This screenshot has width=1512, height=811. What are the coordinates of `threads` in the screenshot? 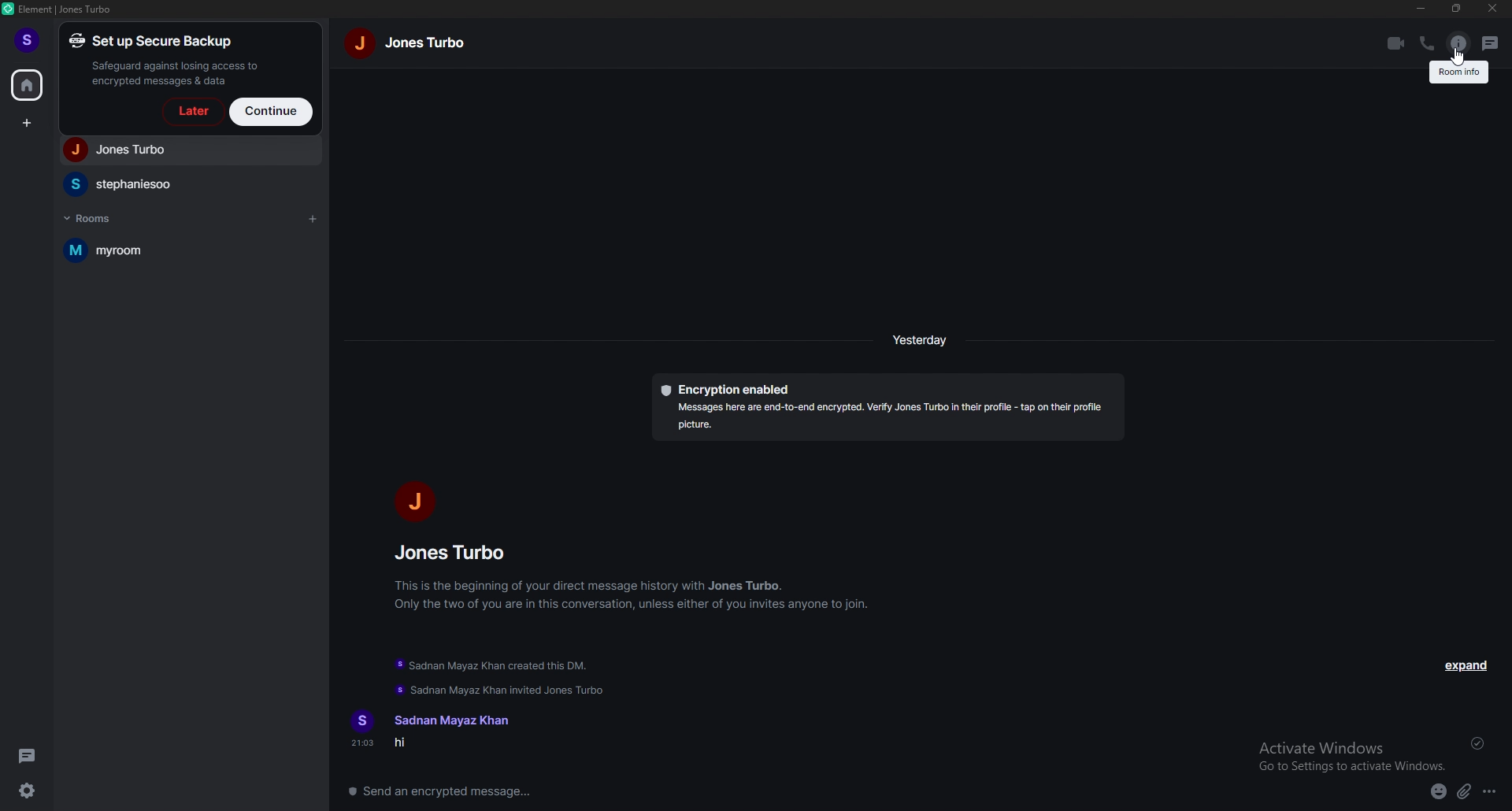 It's located at (30, 756).